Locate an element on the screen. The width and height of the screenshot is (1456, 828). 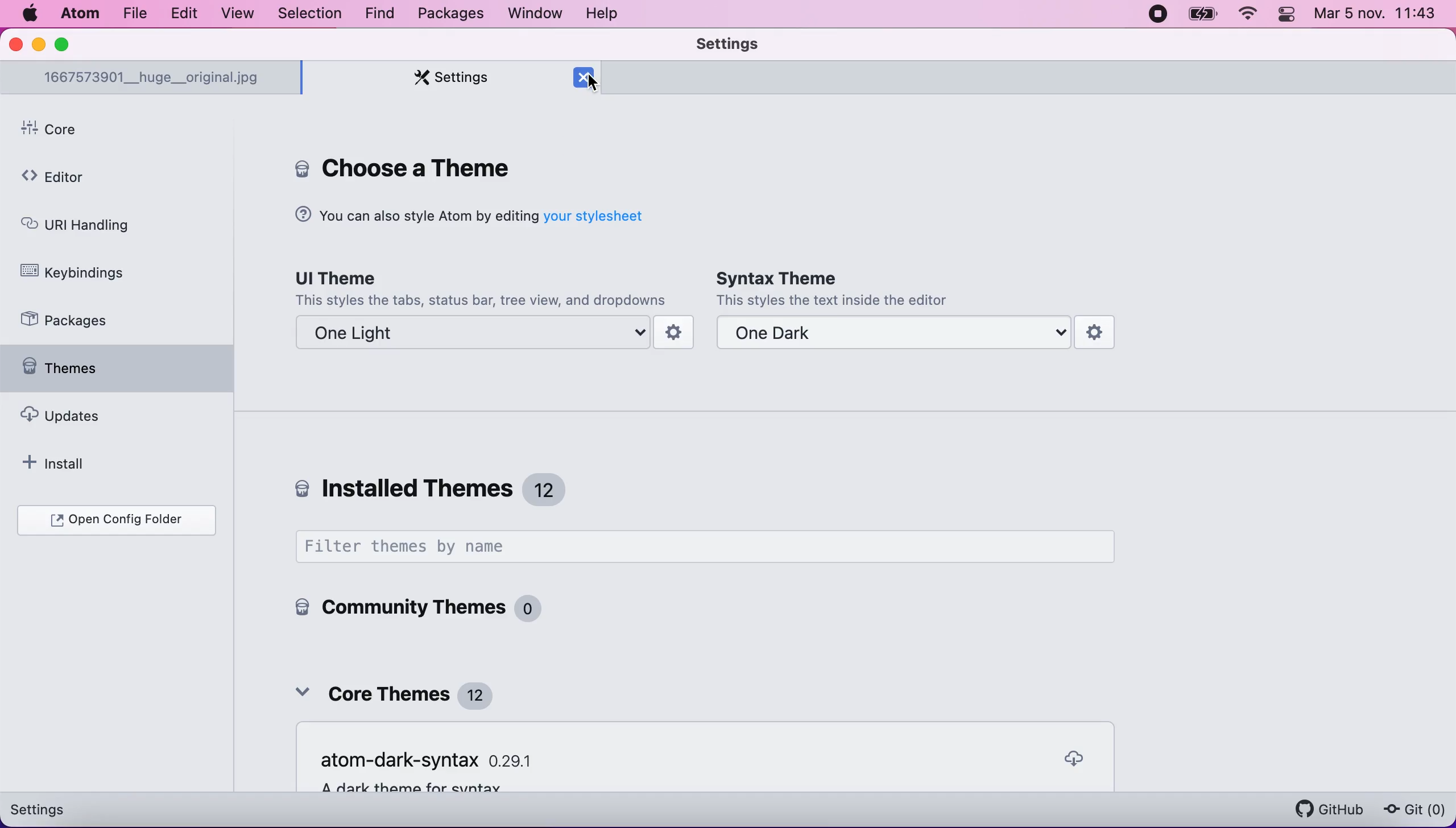
Mar 5 nov. 11:42 is located at coordinates (1378, 16).